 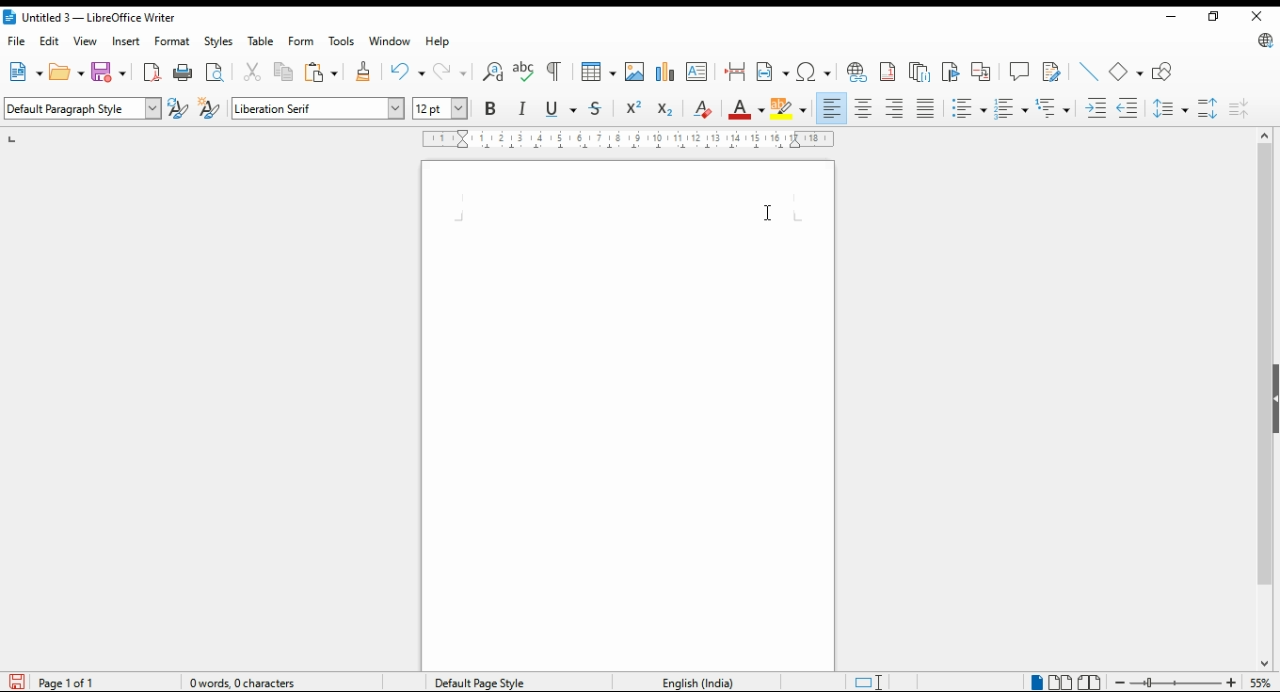 What do you see at coordinates (390, 41) in the screenshot?
I see `window` at bounding box center [390, 41].